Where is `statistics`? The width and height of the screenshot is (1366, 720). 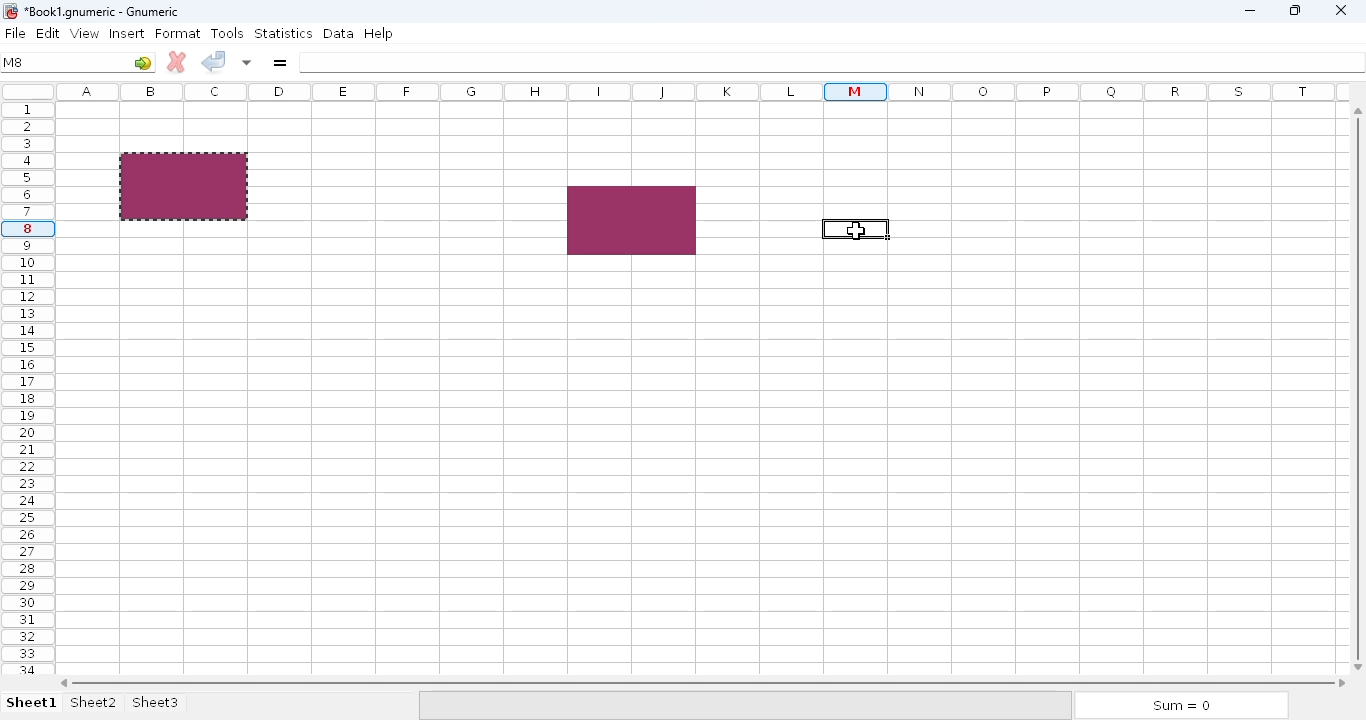 statistics is located at coordinates (283, 33).